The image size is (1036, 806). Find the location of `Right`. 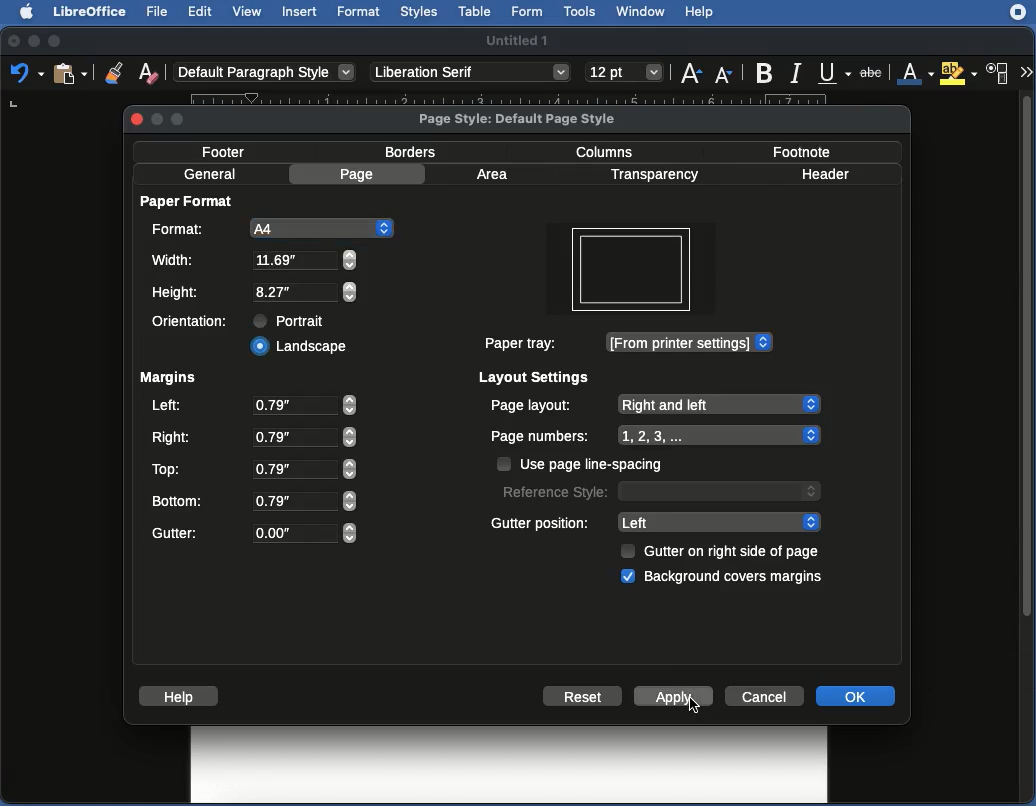

Right is located at coordinates (173, 435).